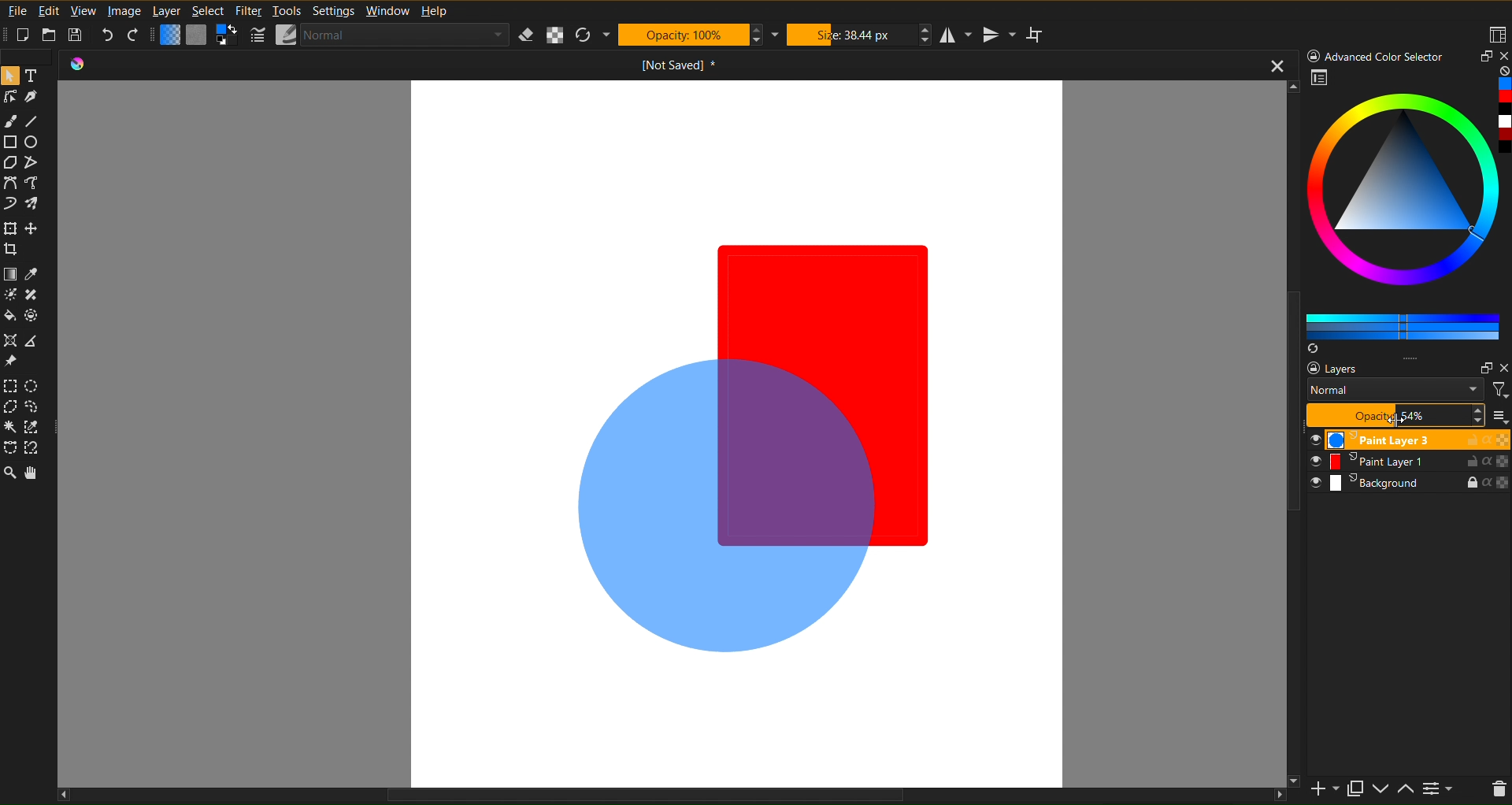 The image size is (1512, 805). Describe the element at coordinates (1409, 484) in the screenshot. I see `Background` at that location.